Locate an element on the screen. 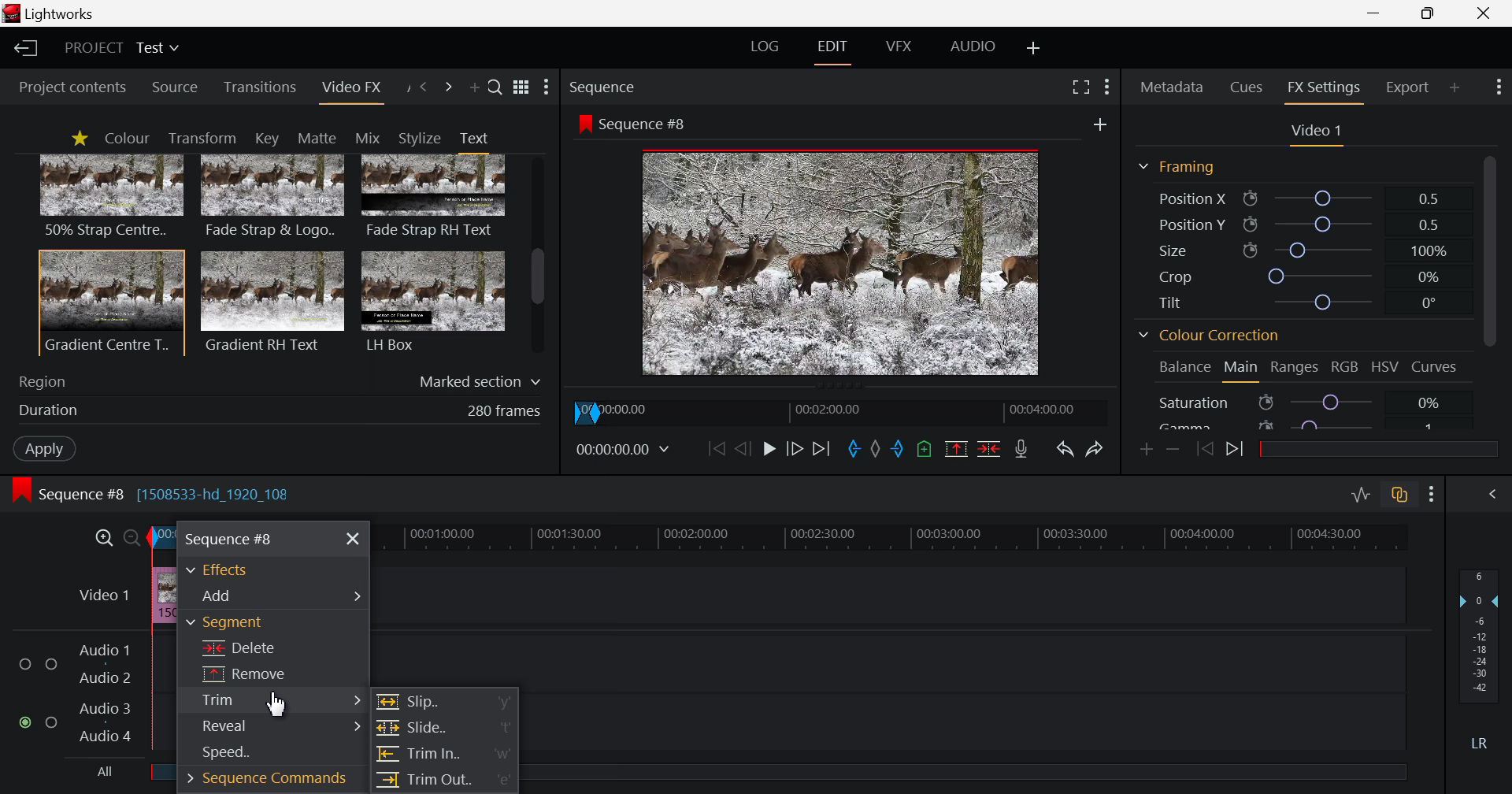  audio input checkbox is located at coordinates (36, 696).